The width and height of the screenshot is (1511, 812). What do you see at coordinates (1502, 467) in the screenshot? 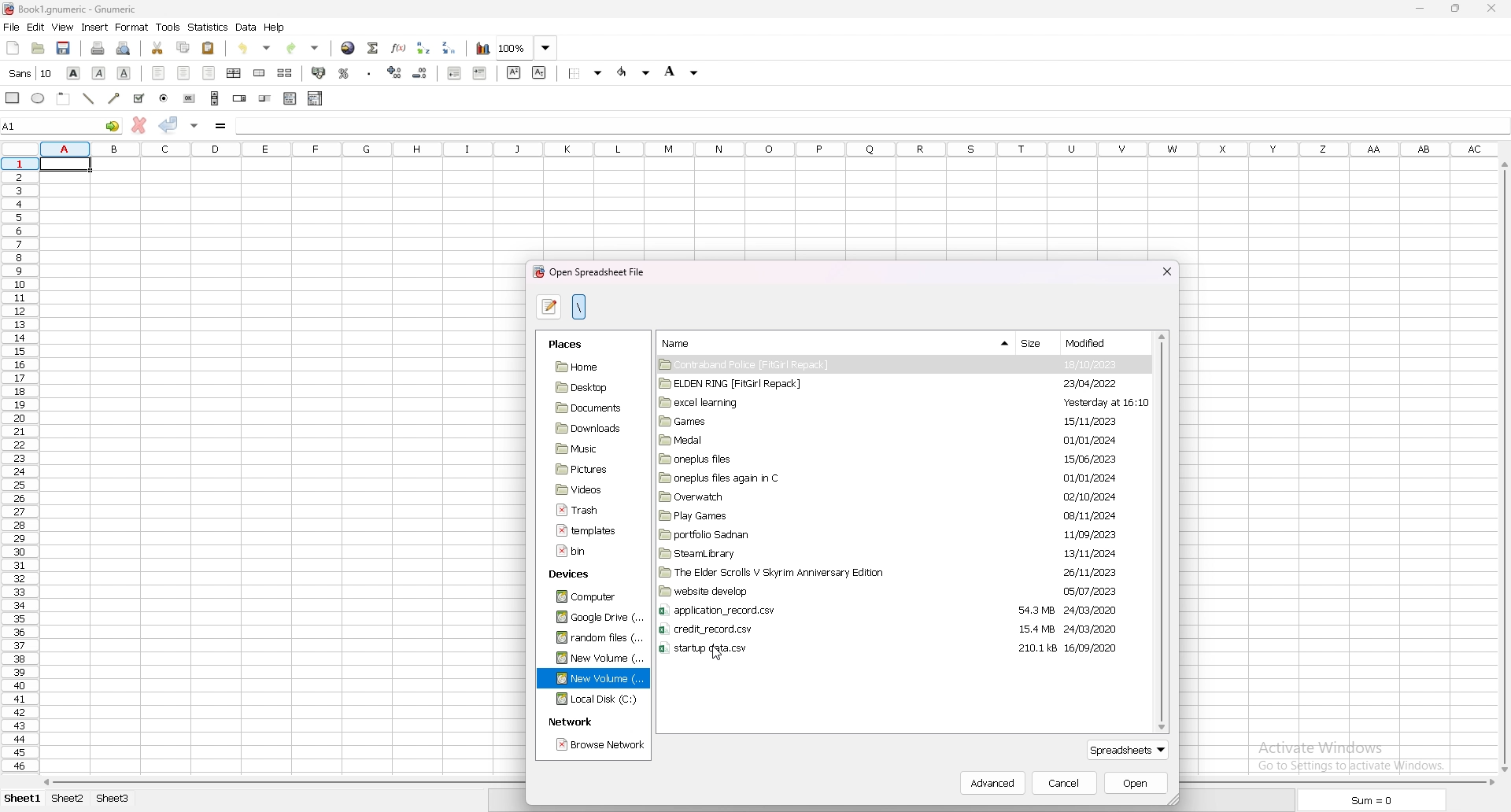
I see `scroll bar` at bounding box center [1502, 467].